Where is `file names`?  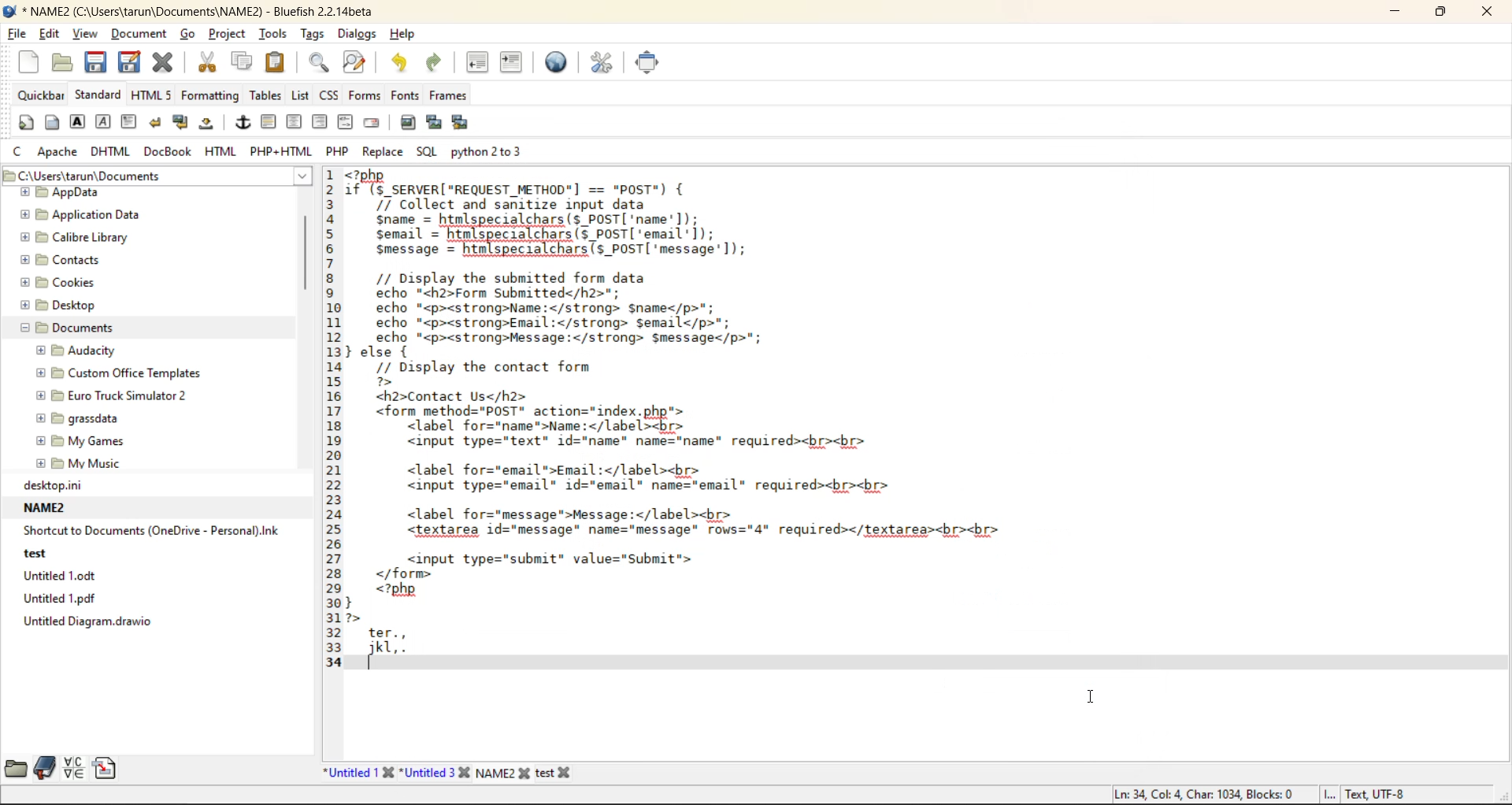 file names is located at coordinates (391, 772).